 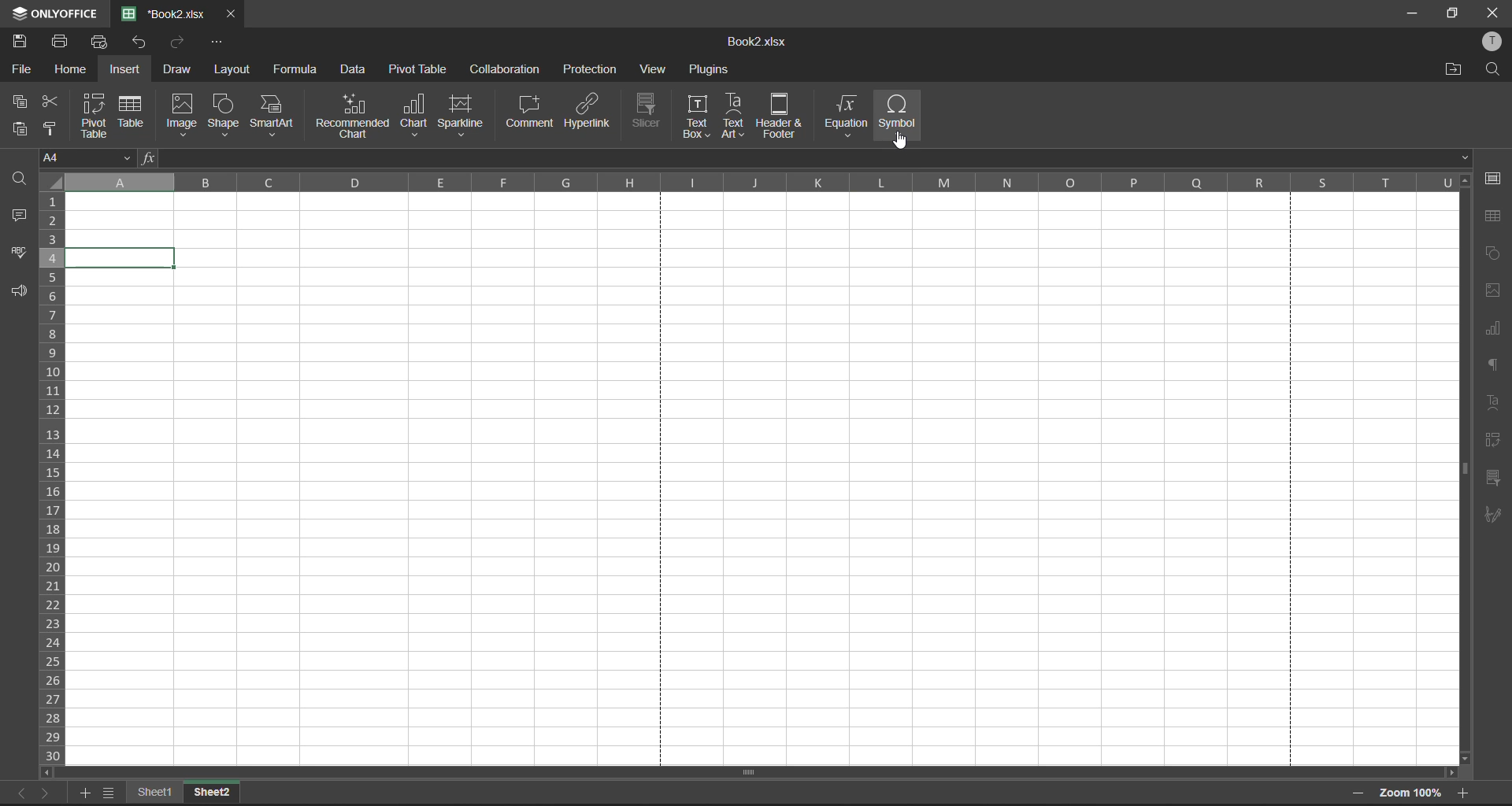 I want to click on file, so click(x=19, y=72).